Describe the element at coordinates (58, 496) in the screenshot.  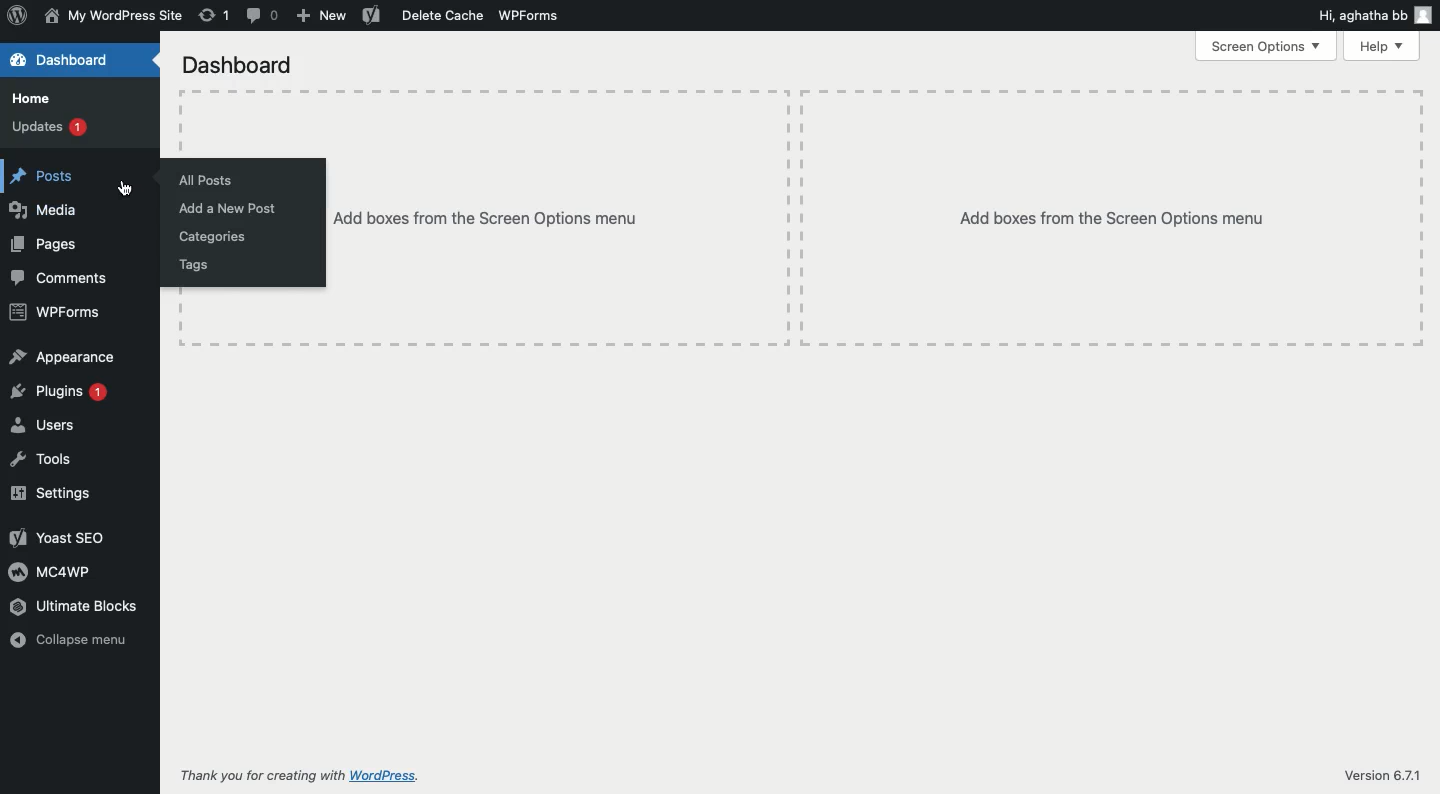
I see `Settings` at that location.